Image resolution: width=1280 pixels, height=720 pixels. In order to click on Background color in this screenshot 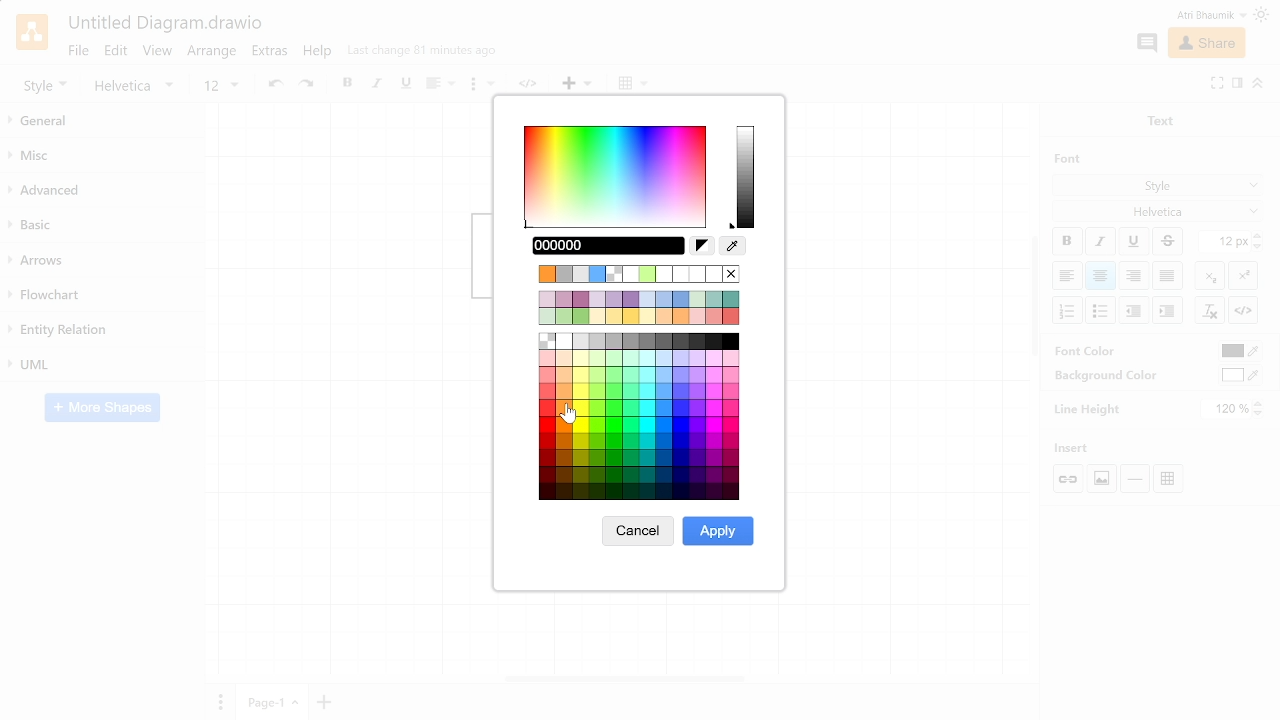, I will do `click(1241, 375)`.